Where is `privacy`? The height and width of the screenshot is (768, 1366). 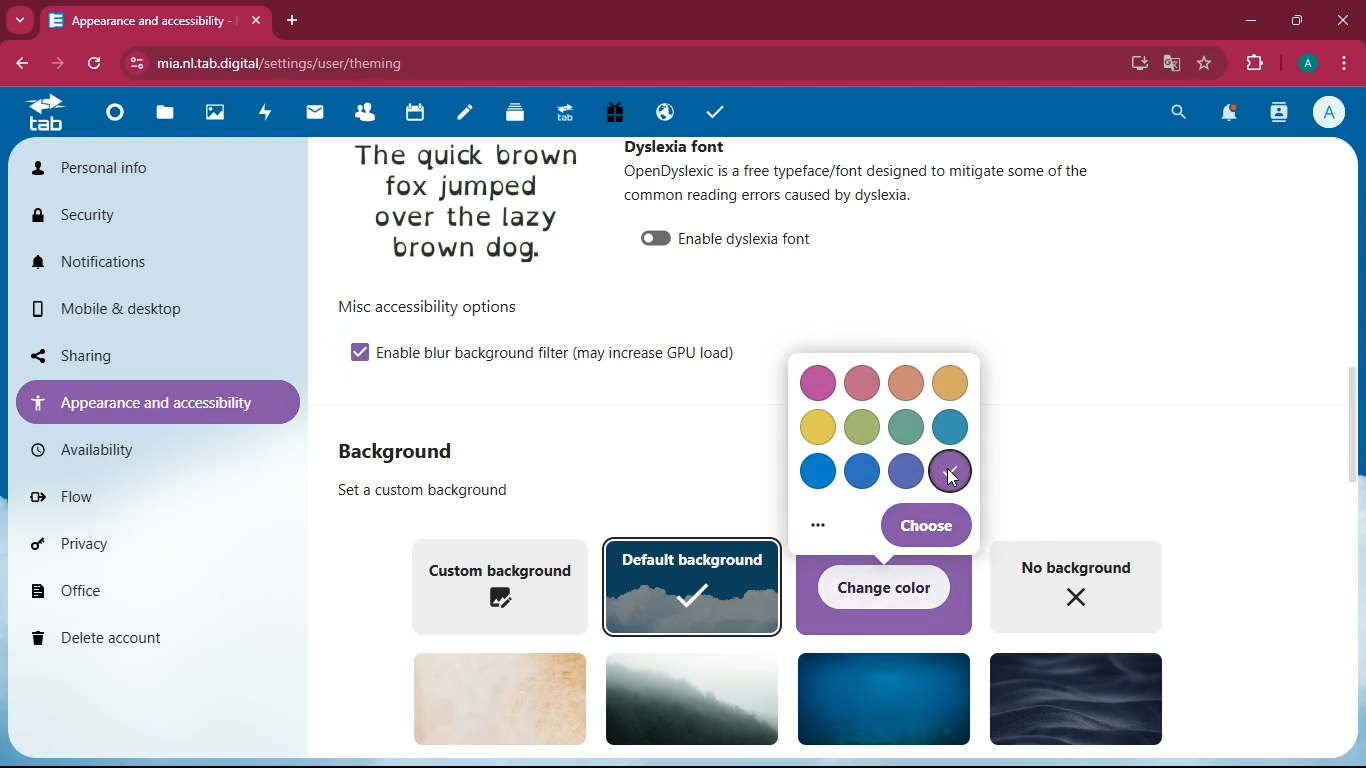 privacy is located at coordinates (137, 543).